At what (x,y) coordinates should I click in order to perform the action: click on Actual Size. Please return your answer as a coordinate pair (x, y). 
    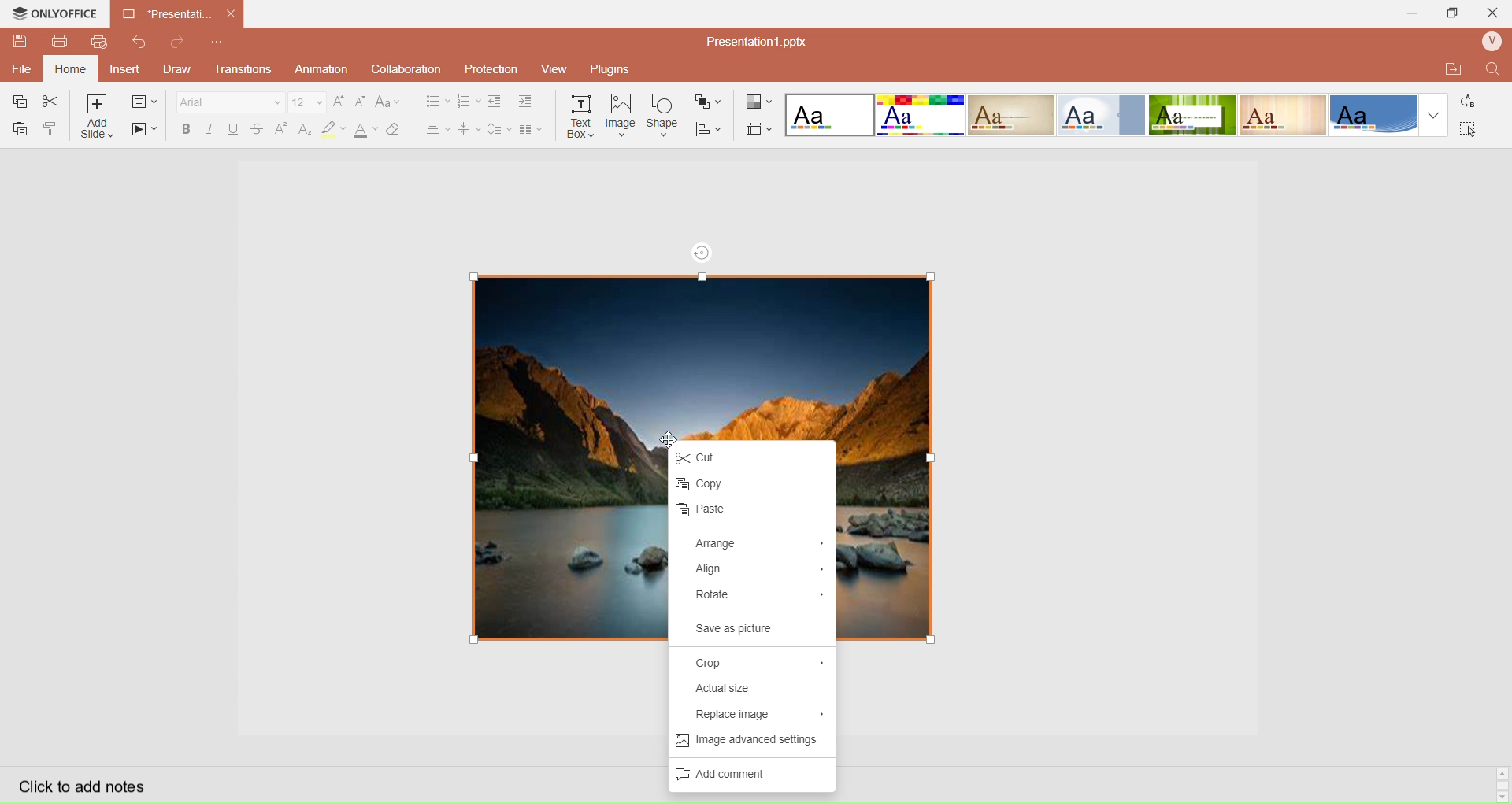
    Looking at the image, I should click on (753, 686).